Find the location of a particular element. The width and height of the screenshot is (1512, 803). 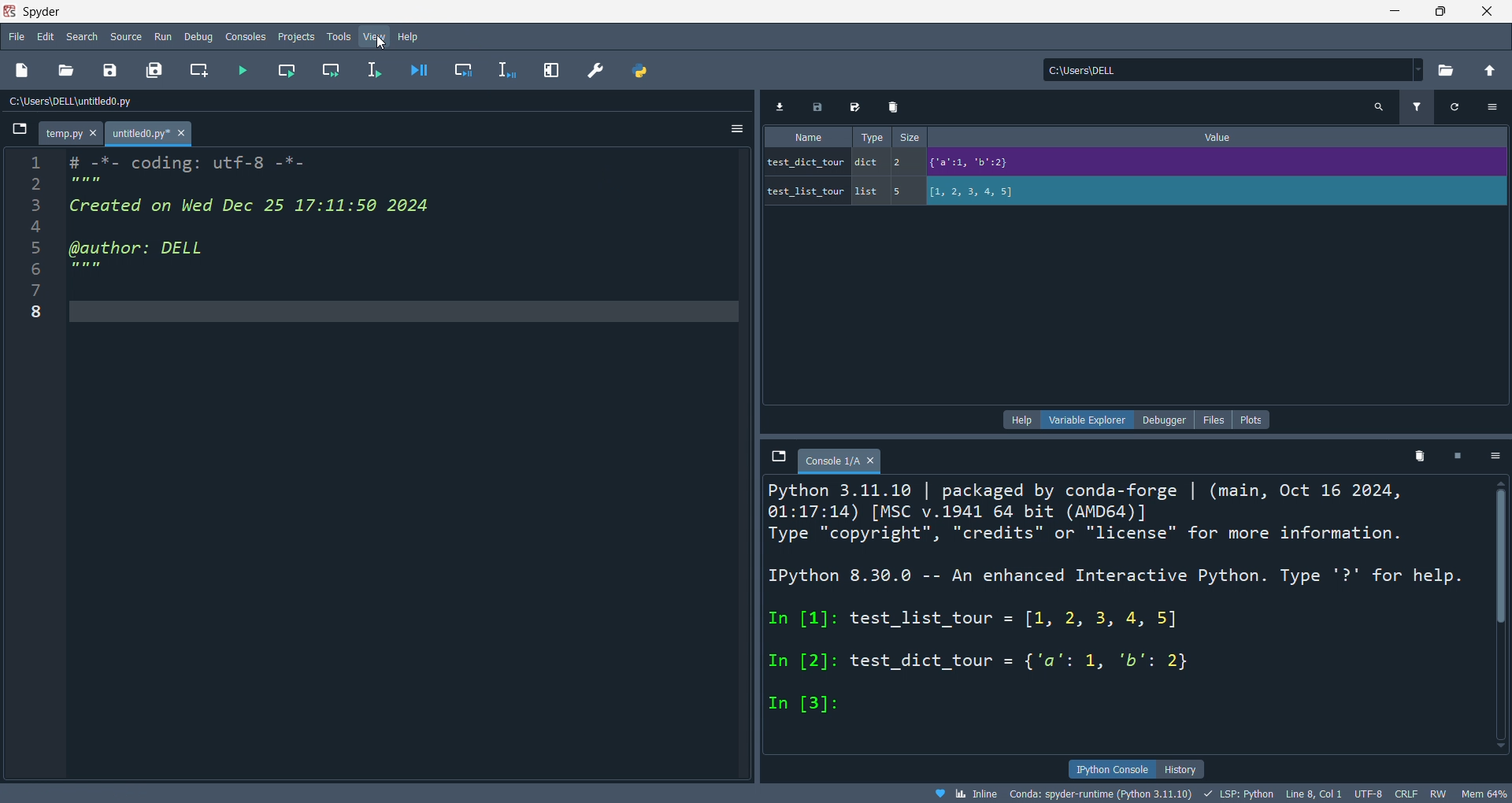

run file is located at coordinates (243, 71).